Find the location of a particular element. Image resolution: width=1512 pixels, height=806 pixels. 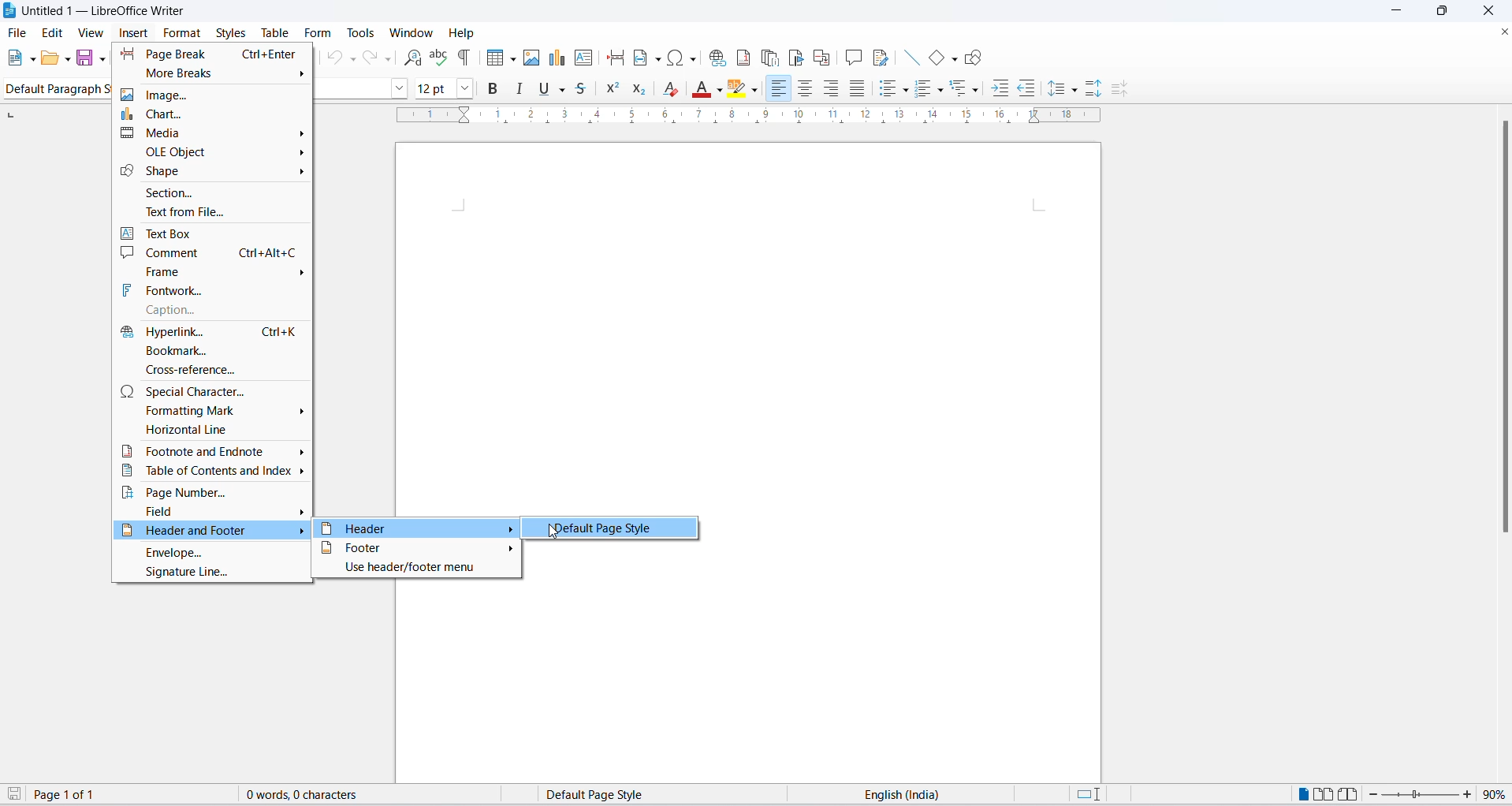

text align left is located at coordinates (780, 88).